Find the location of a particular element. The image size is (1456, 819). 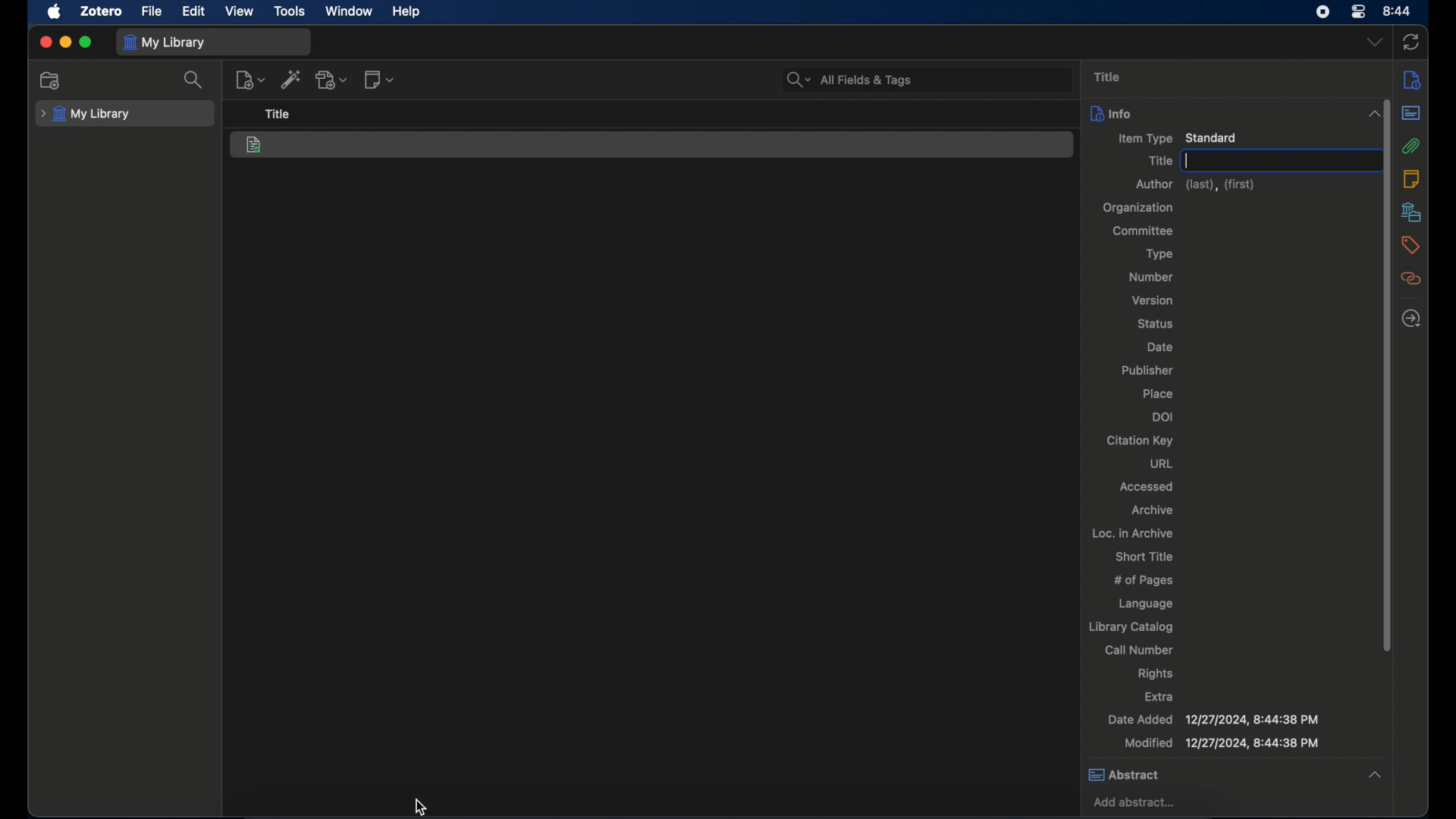

author is located at coordinates (1193, 185).